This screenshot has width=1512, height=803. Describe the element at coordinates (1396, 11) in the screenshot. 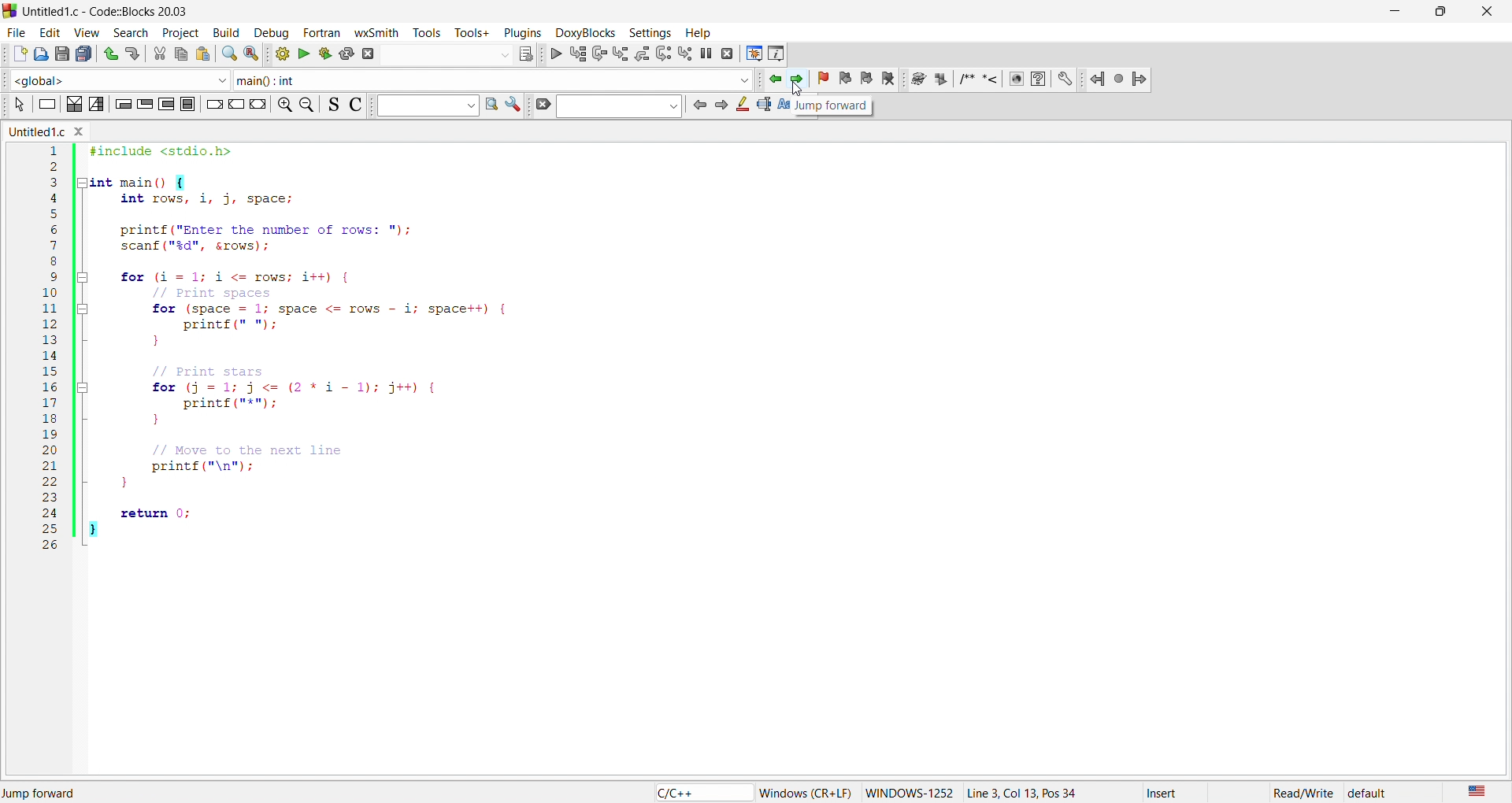

I see `minimize` at that location.